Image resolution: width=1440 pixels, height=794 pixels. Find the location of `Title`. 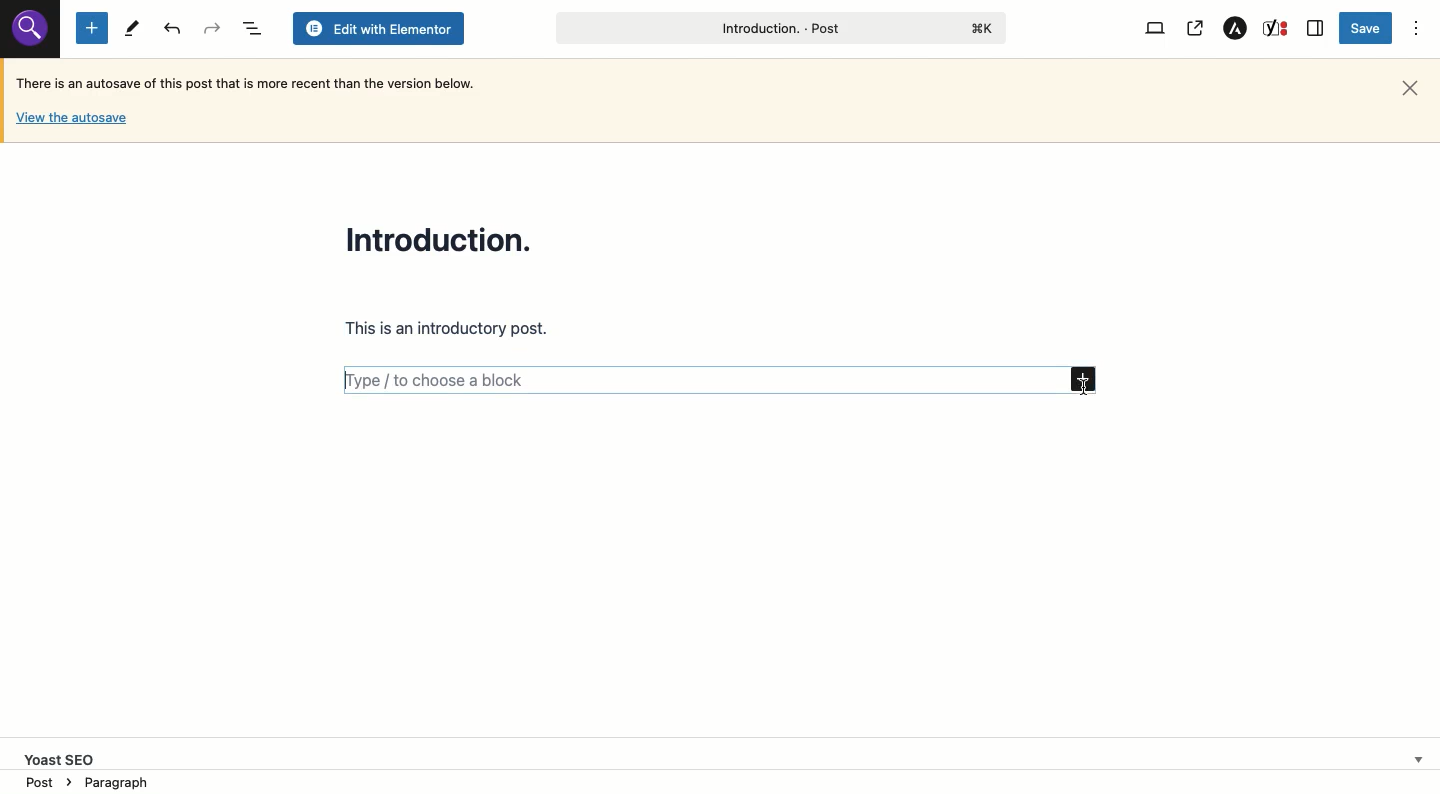

Title is located at coordinates (444, 238).